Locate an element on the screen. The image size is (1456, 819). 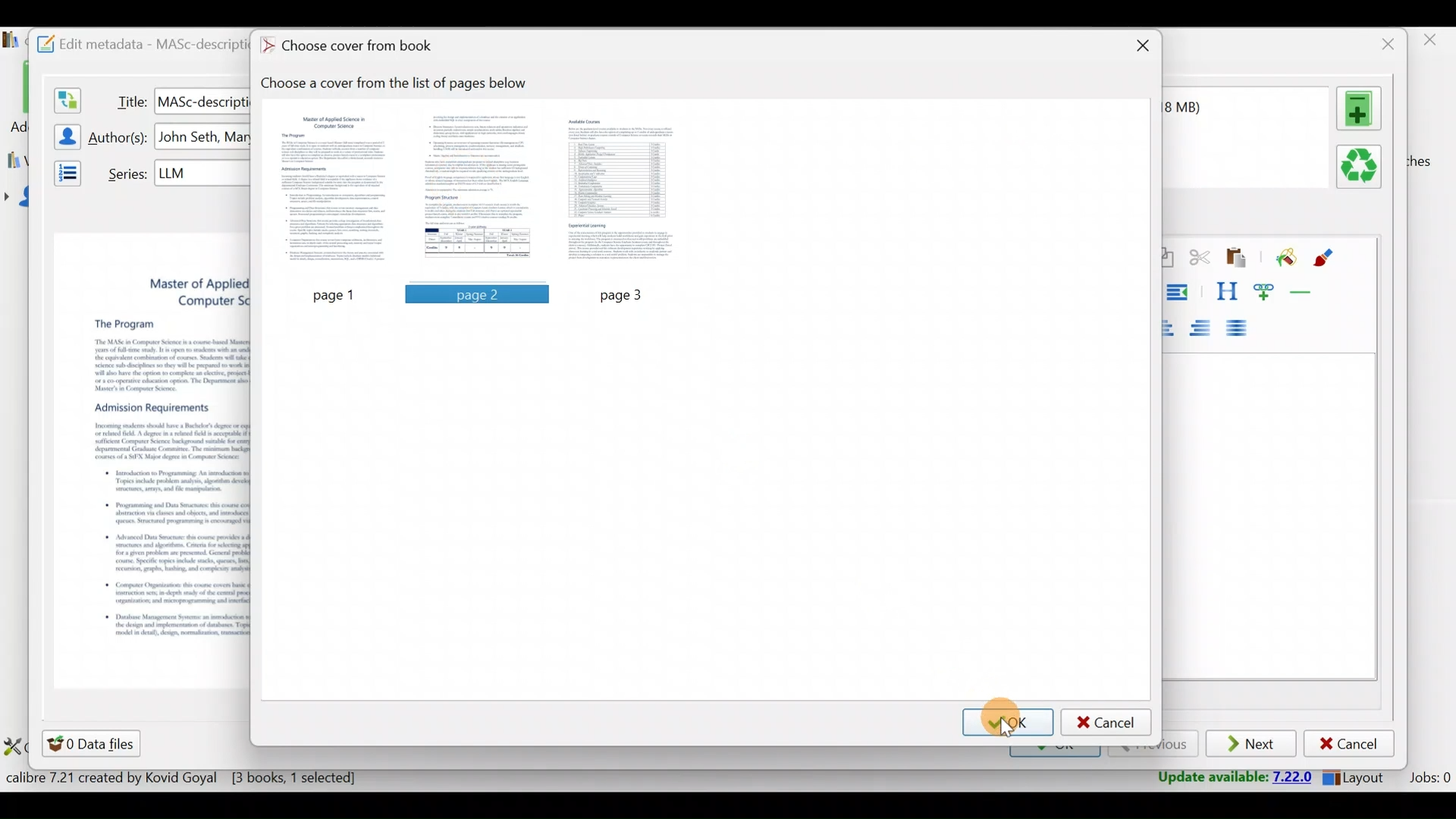
Choose cover from book is located at coordinates (351, 47).